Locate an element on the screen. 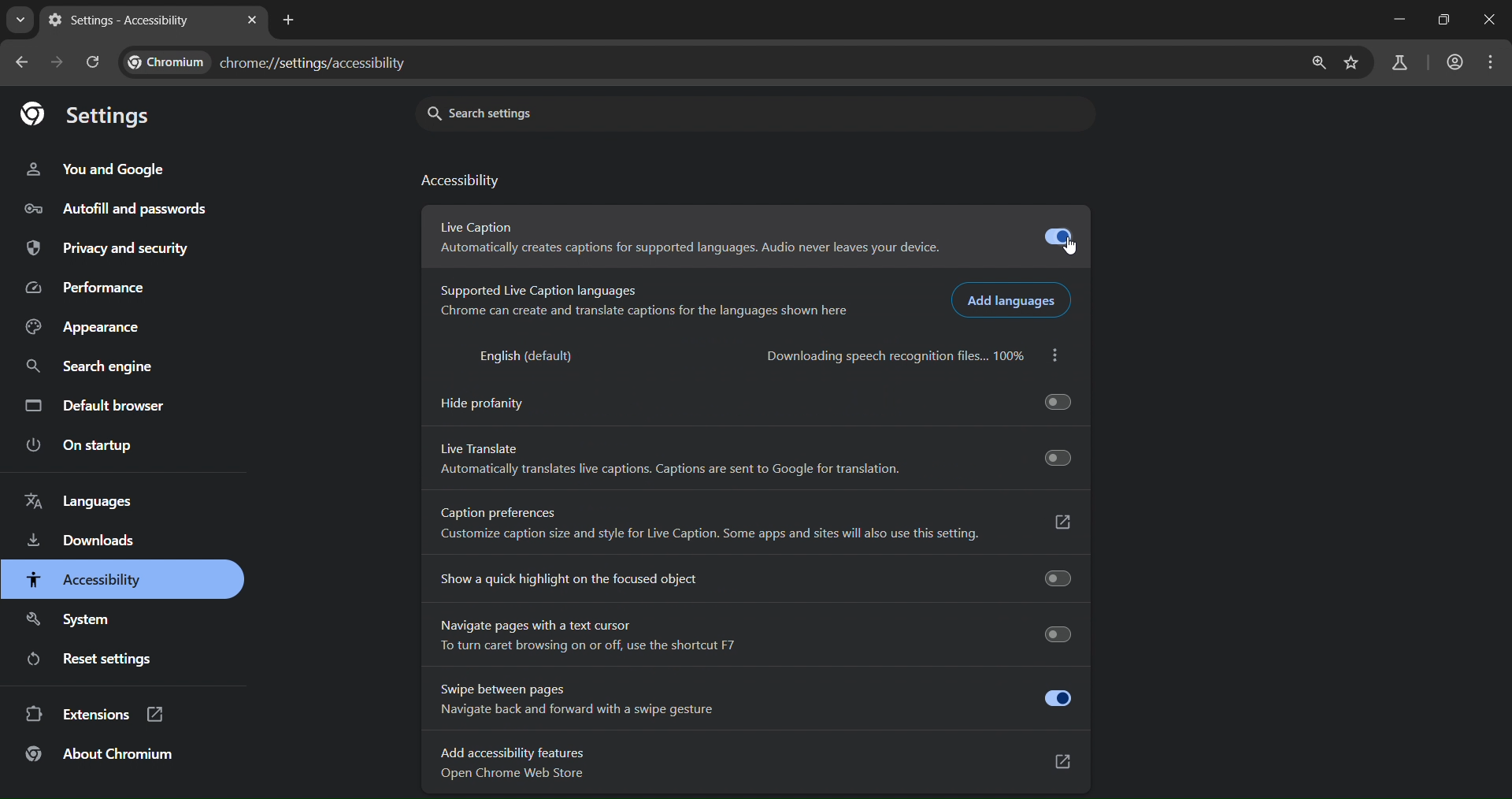 Image resolution: width=1512 pixels, height=799 pixels. about chromium is located at coordinates (105, 756).